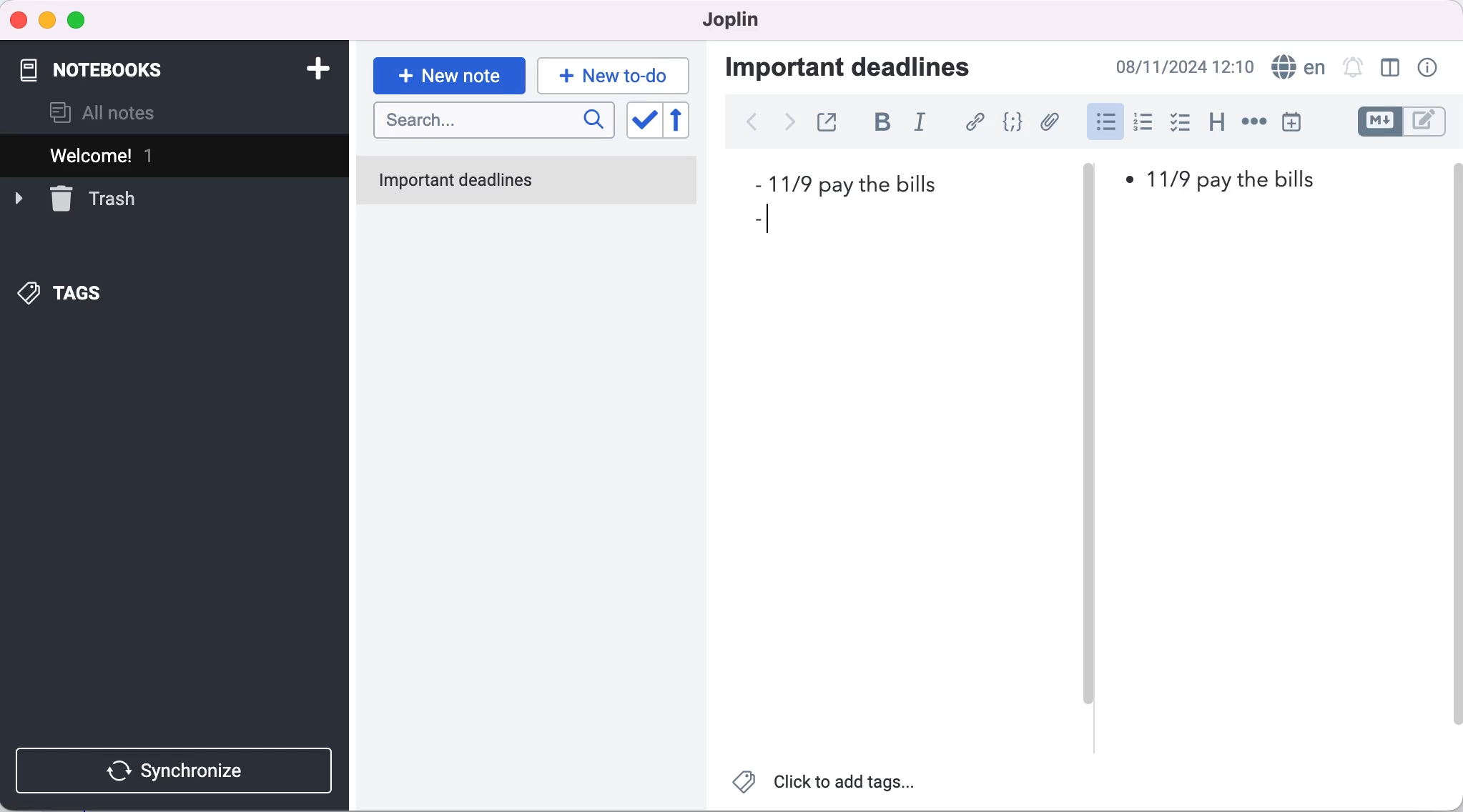 The width and height of the screenshot is (1463, 812). Describe the element at coordinates (1432, 69) in the screenshot. I see `note properties` at that location.